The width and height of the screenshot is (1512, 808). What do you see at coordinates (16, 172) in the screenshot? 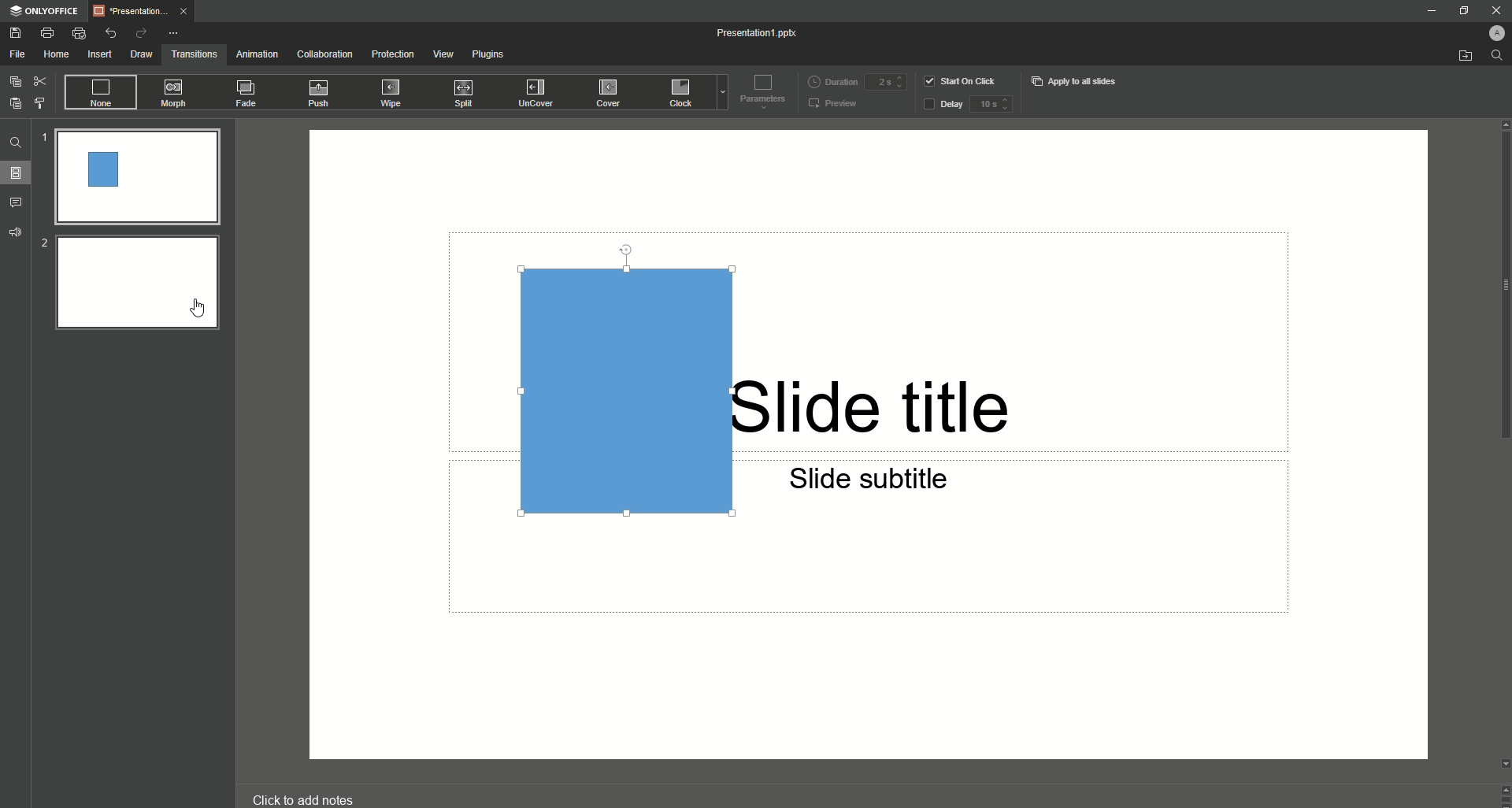
I see `Slides` at bounding box center [16, 172].